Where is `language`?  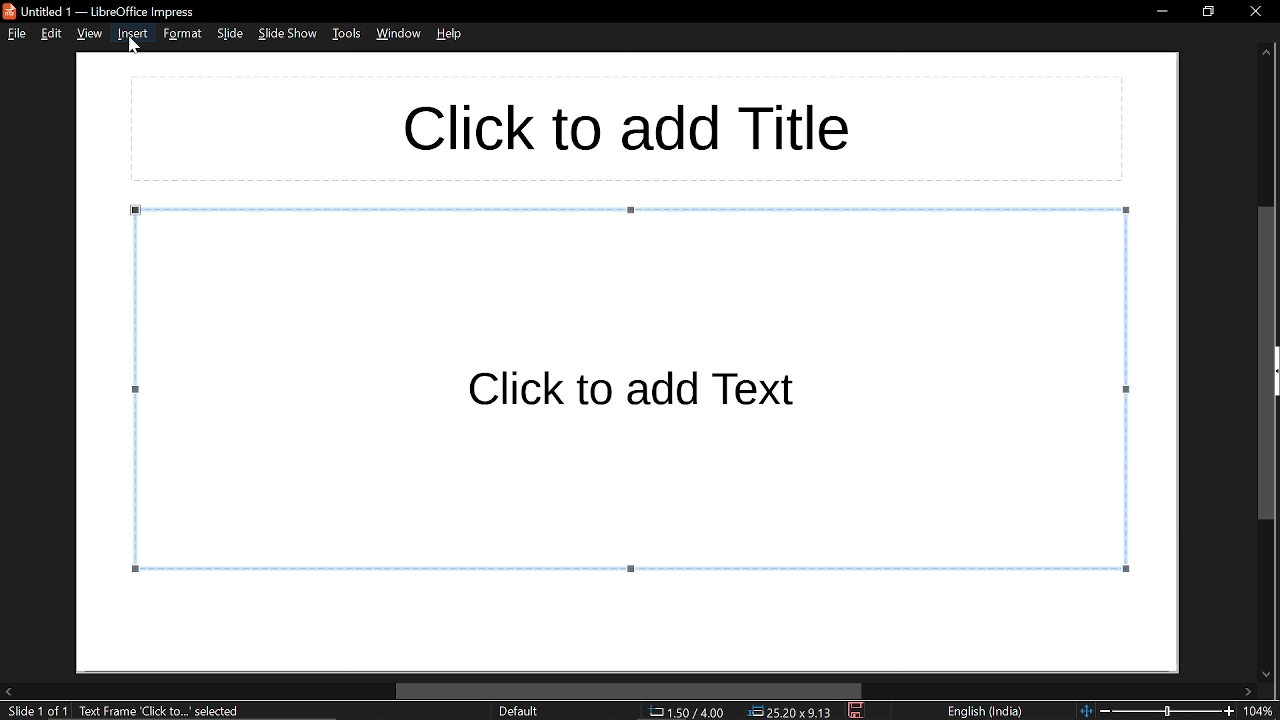 language is located at coordinates (986, 712).